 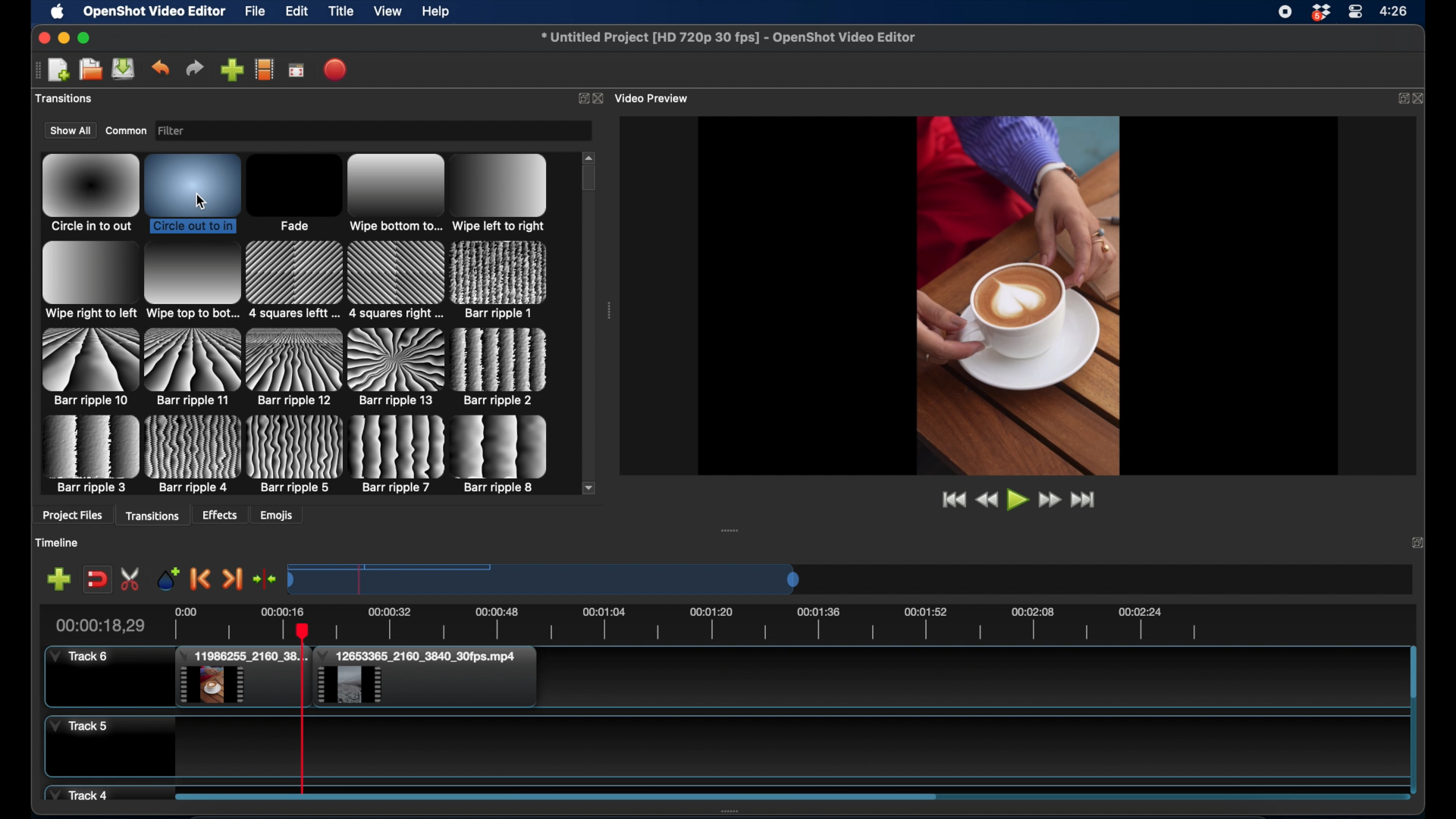 I want to click on effects, so click(x=221, y=515).